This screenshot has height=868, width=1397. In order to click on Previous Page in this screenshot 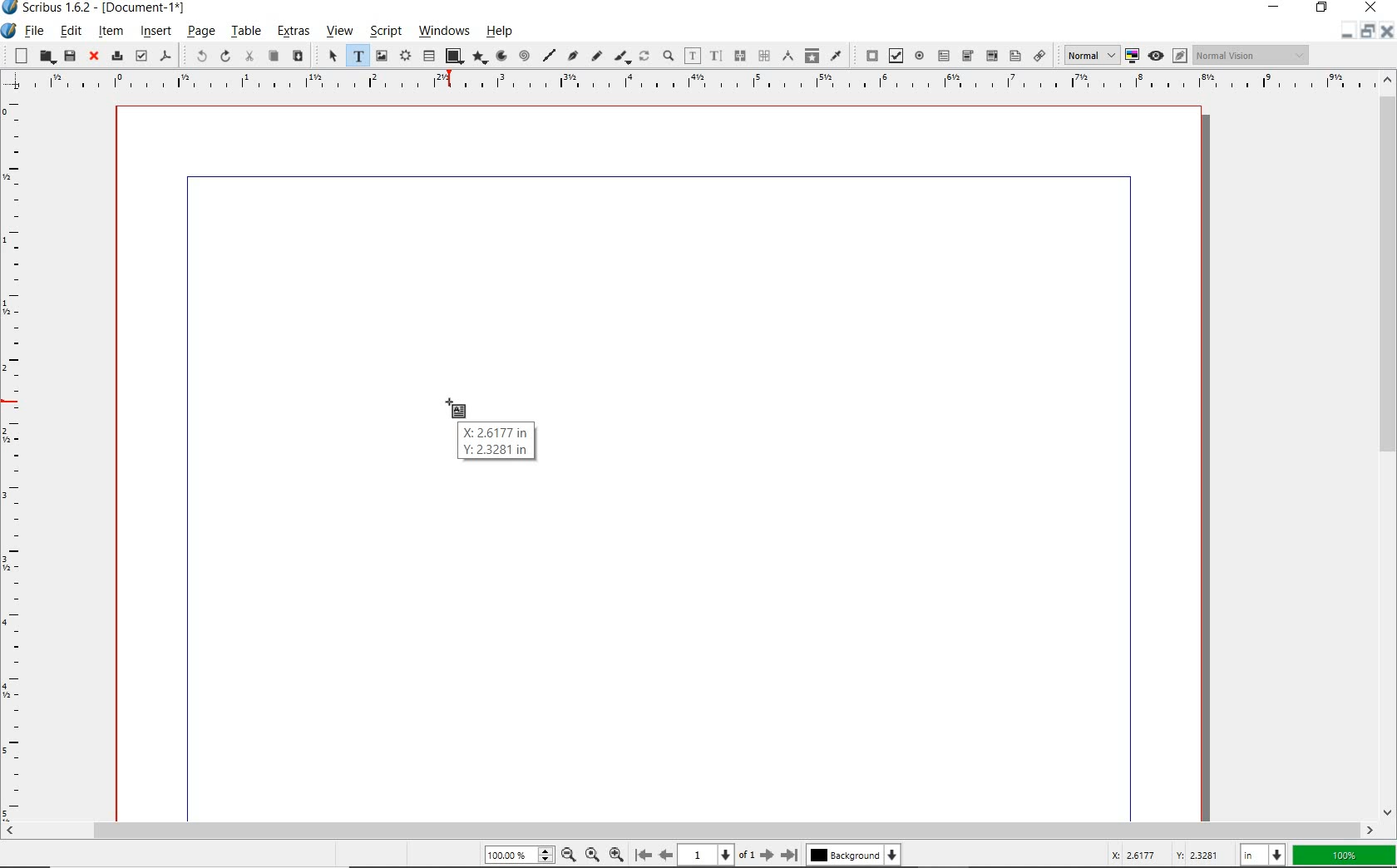, I will do `click(667, 856)`.